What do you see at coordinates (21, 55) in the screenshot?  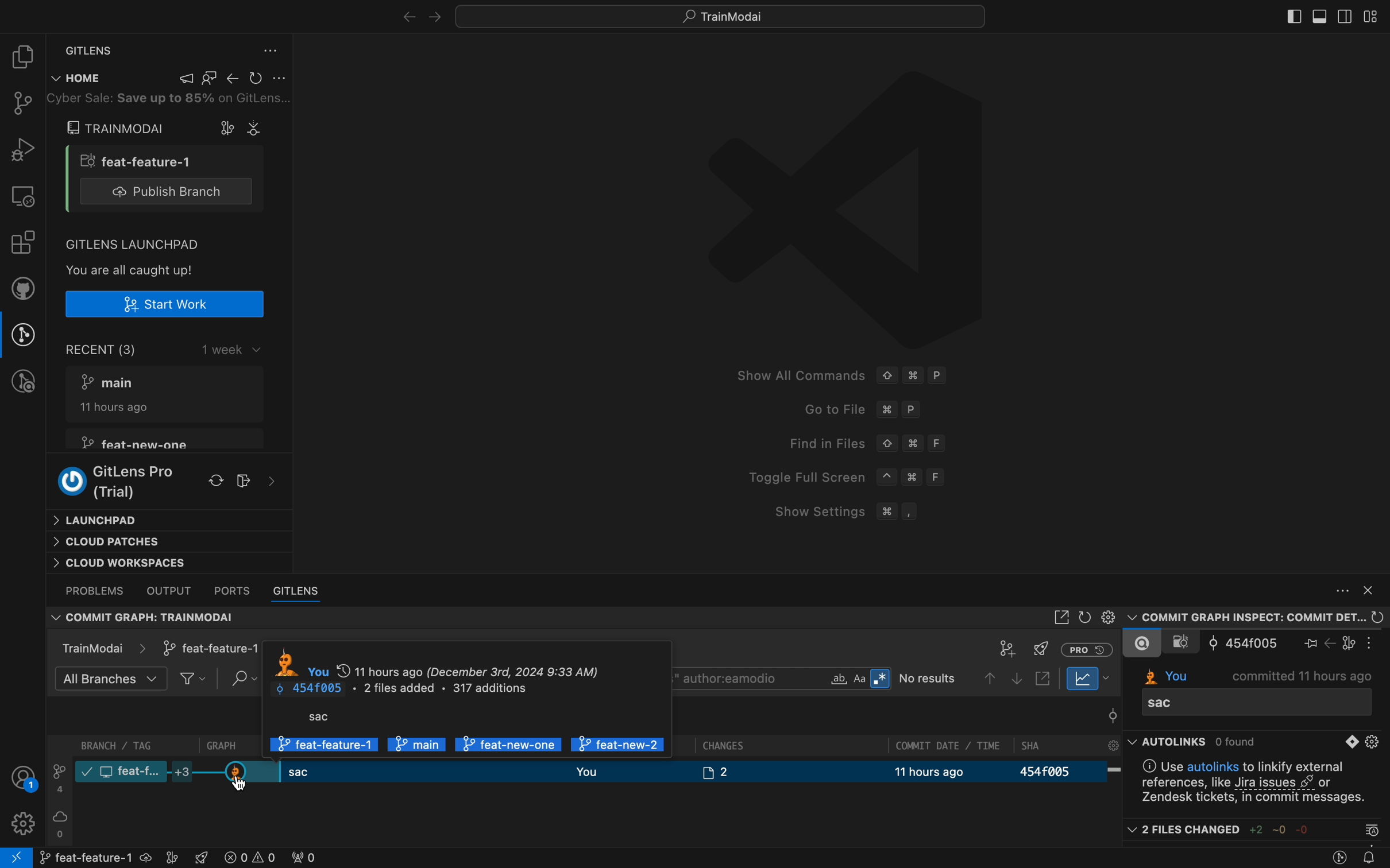 I see `file explorer ` at bounding box center [21, 55].